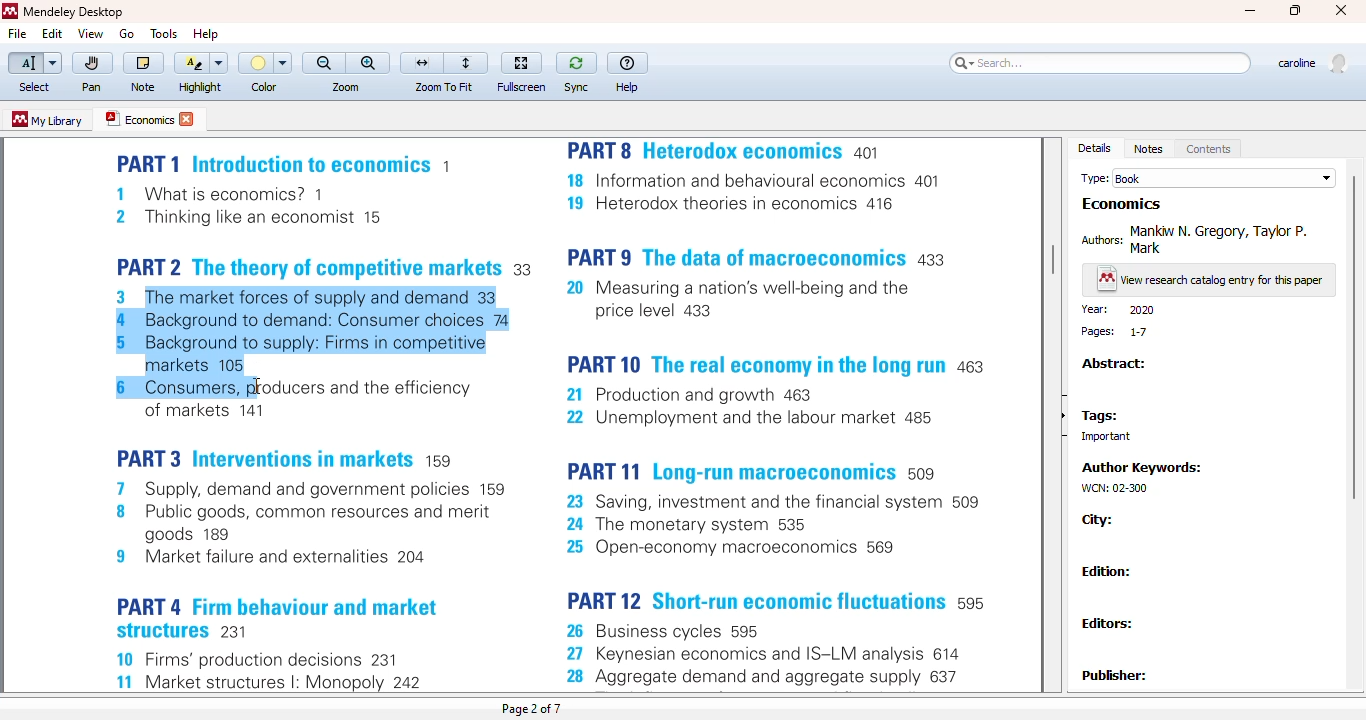 This screenshot has height=720, width=1366. Describe the element at coordinates (1122, 204) in the screenshot. I see `economics` at that location.